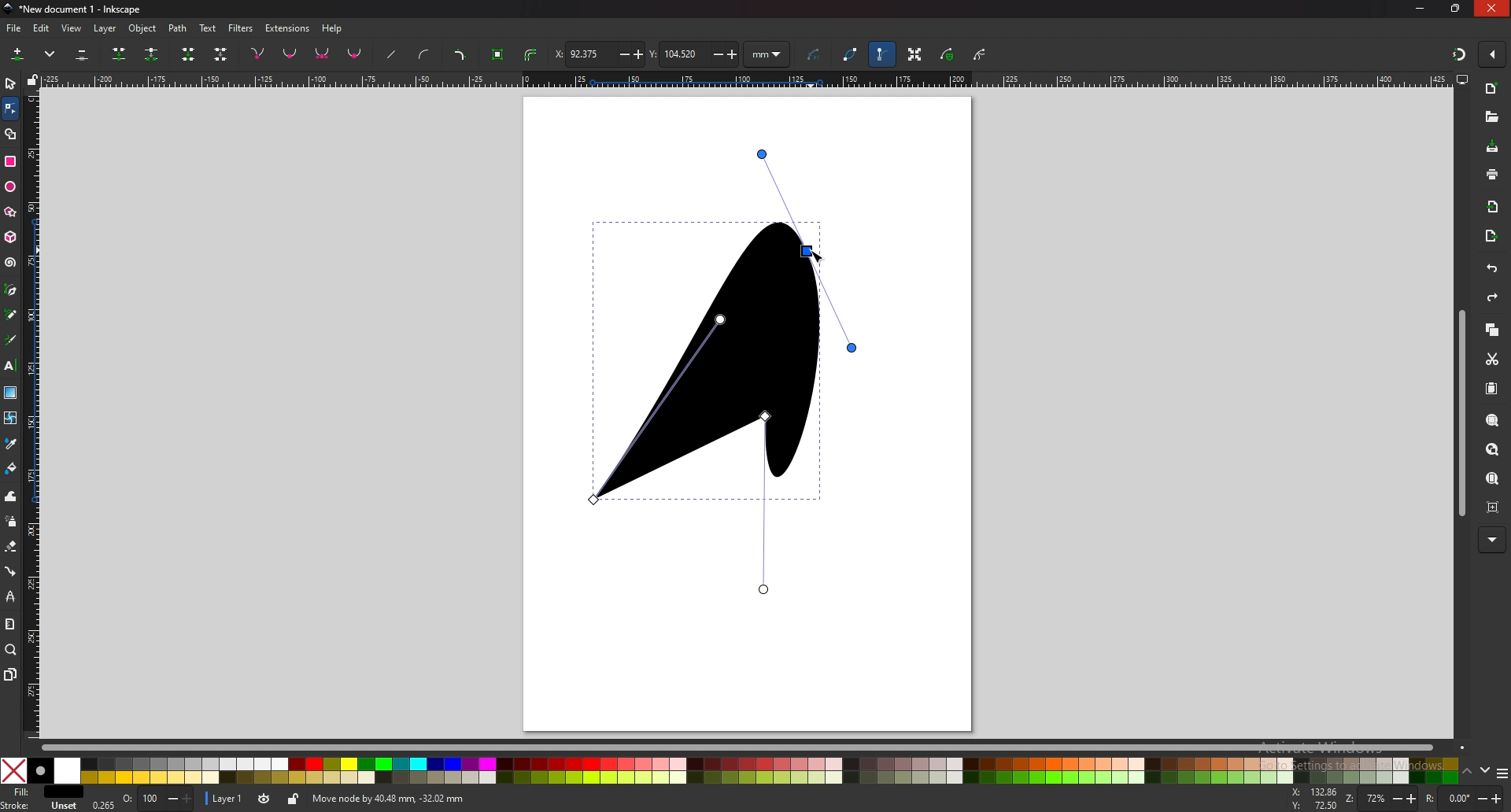 The width and height of the screenshot is (1511, 812). Describe the element at coordinates (1492, 53) in the screenshot. I see `enable snapping` at that location.